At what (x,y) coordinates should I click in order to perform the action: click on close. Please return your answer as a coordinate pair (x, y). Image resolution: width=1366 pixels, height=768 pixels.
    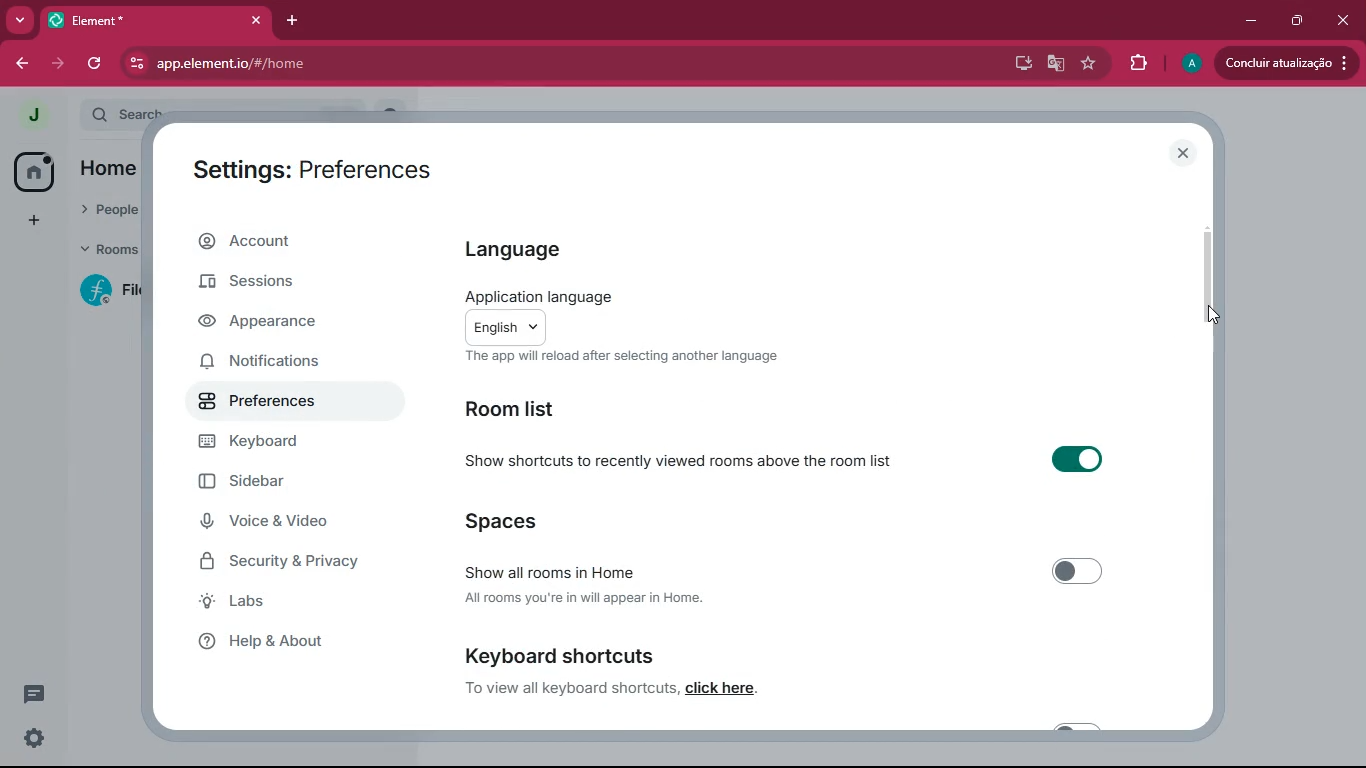
    Looking at the image, I should click on (1185, 154).